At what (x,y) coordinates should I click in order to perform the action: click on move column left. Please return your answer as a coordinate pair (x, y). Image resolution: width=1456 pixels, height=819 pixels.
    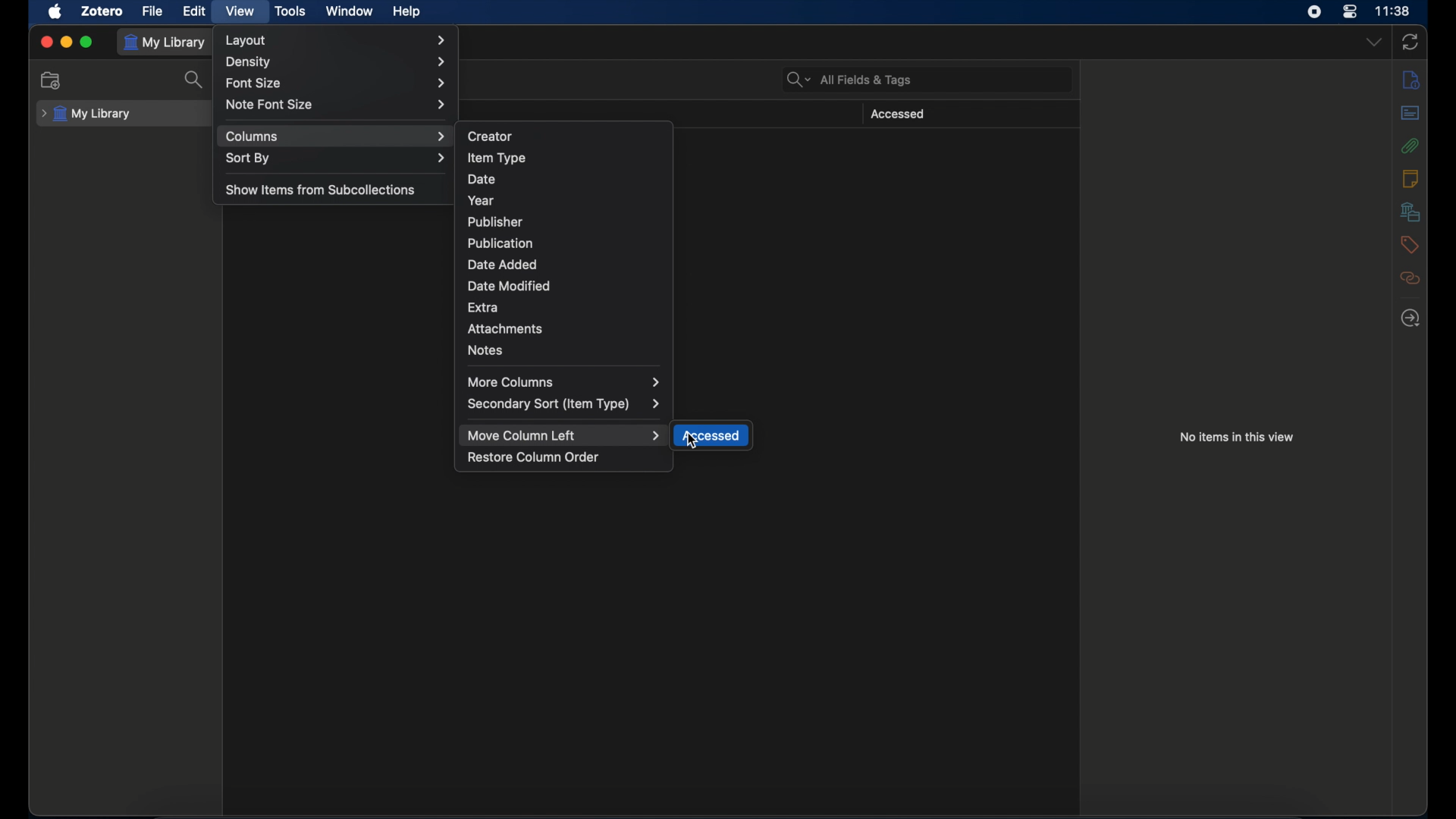
    Looking at the image, I should click on (564, 437).